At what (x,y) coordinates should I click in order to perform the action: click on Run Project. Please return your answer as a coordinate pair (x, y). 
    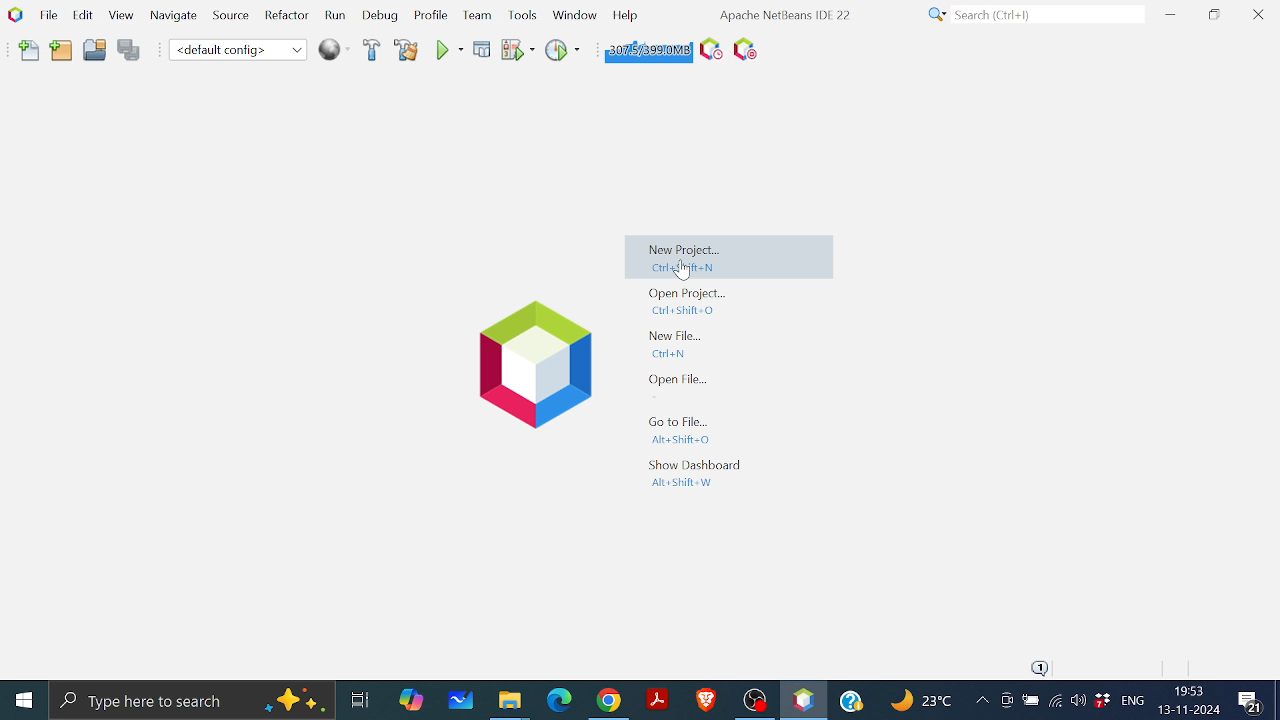
    Looking at the image, I should click on (519, 50).